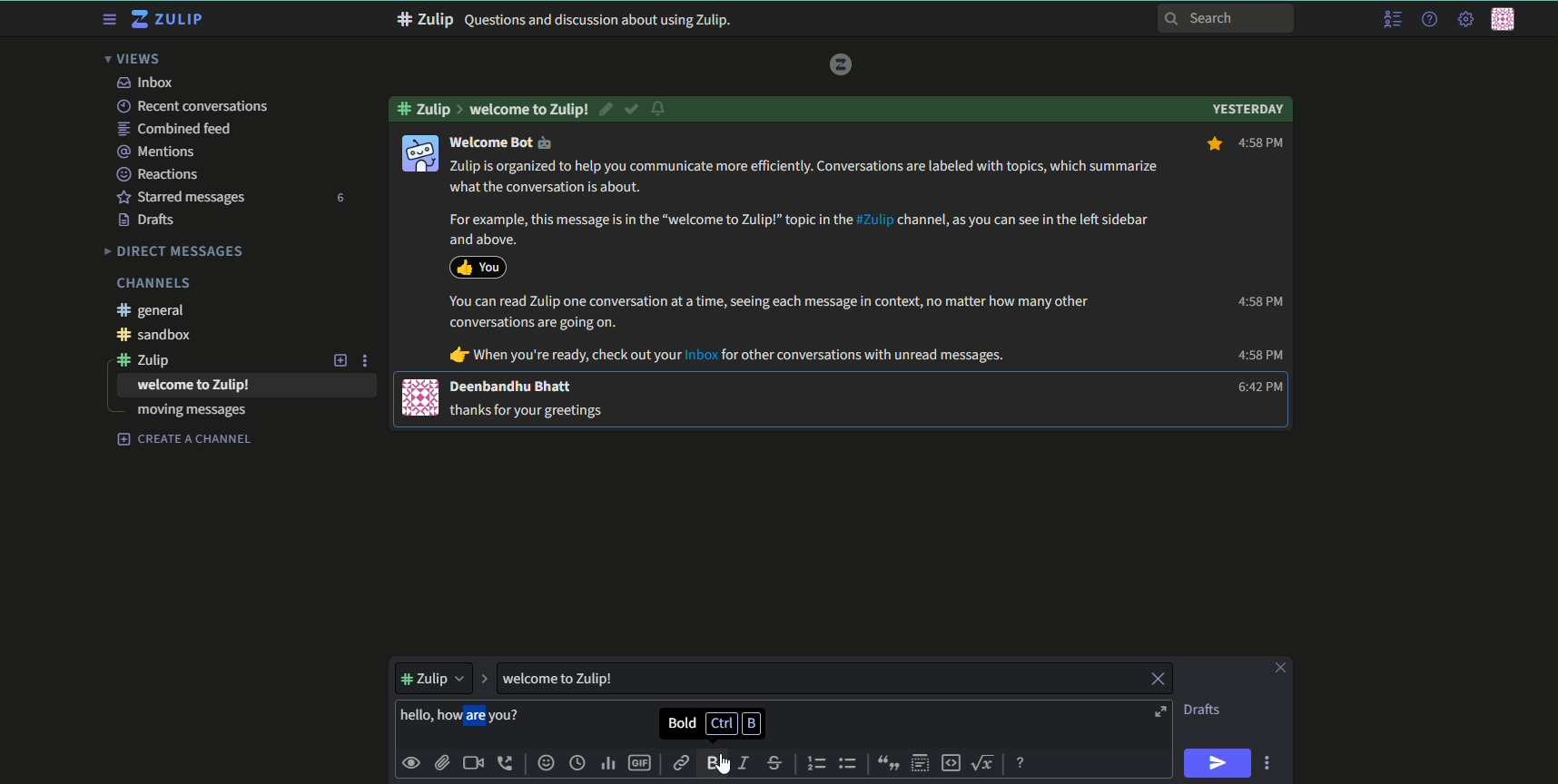  I want to click on add voice call, so click(507, 763).